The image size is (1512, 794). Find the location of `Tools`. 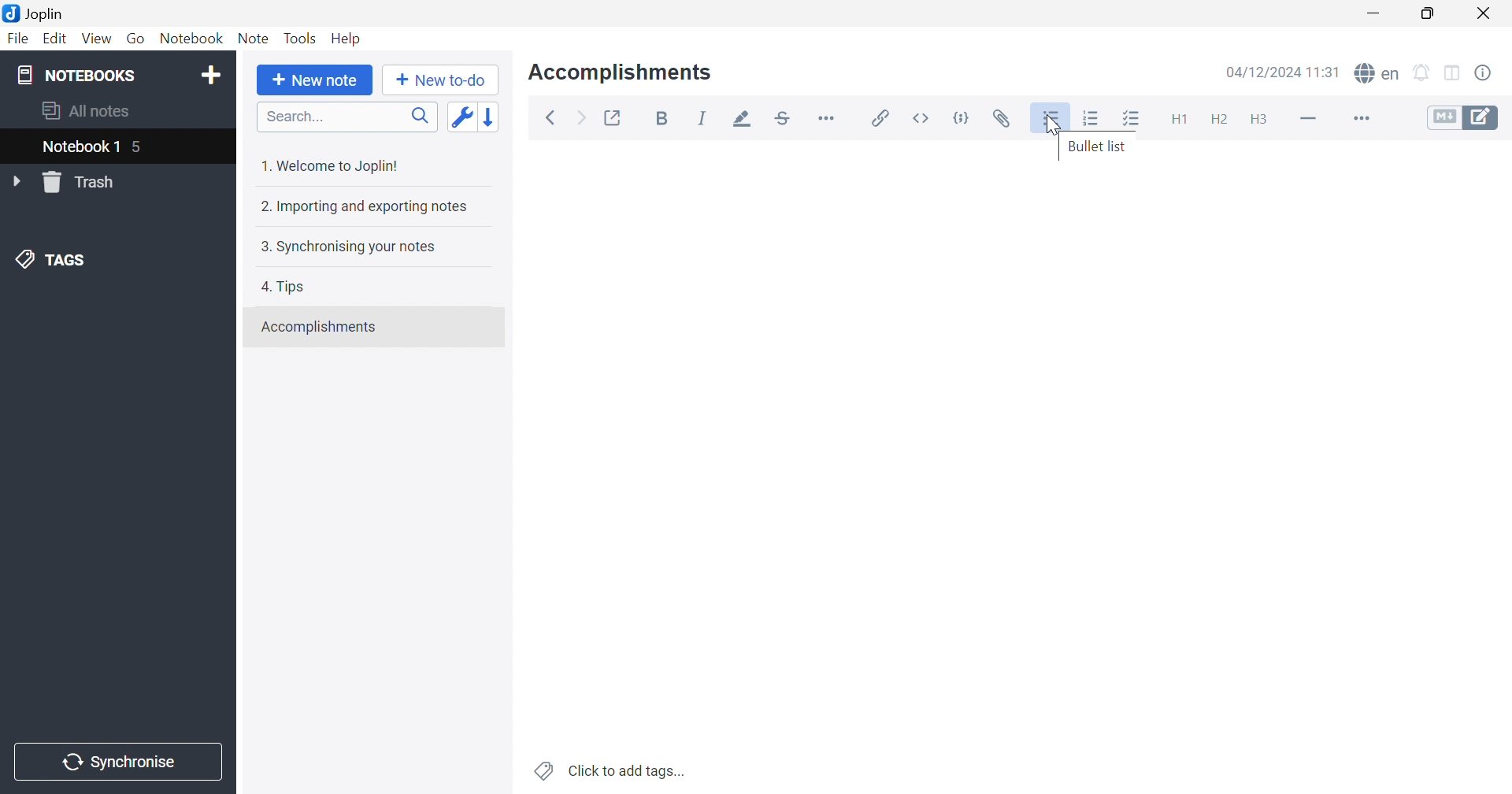

Tools is located at coordinates (299, 38).